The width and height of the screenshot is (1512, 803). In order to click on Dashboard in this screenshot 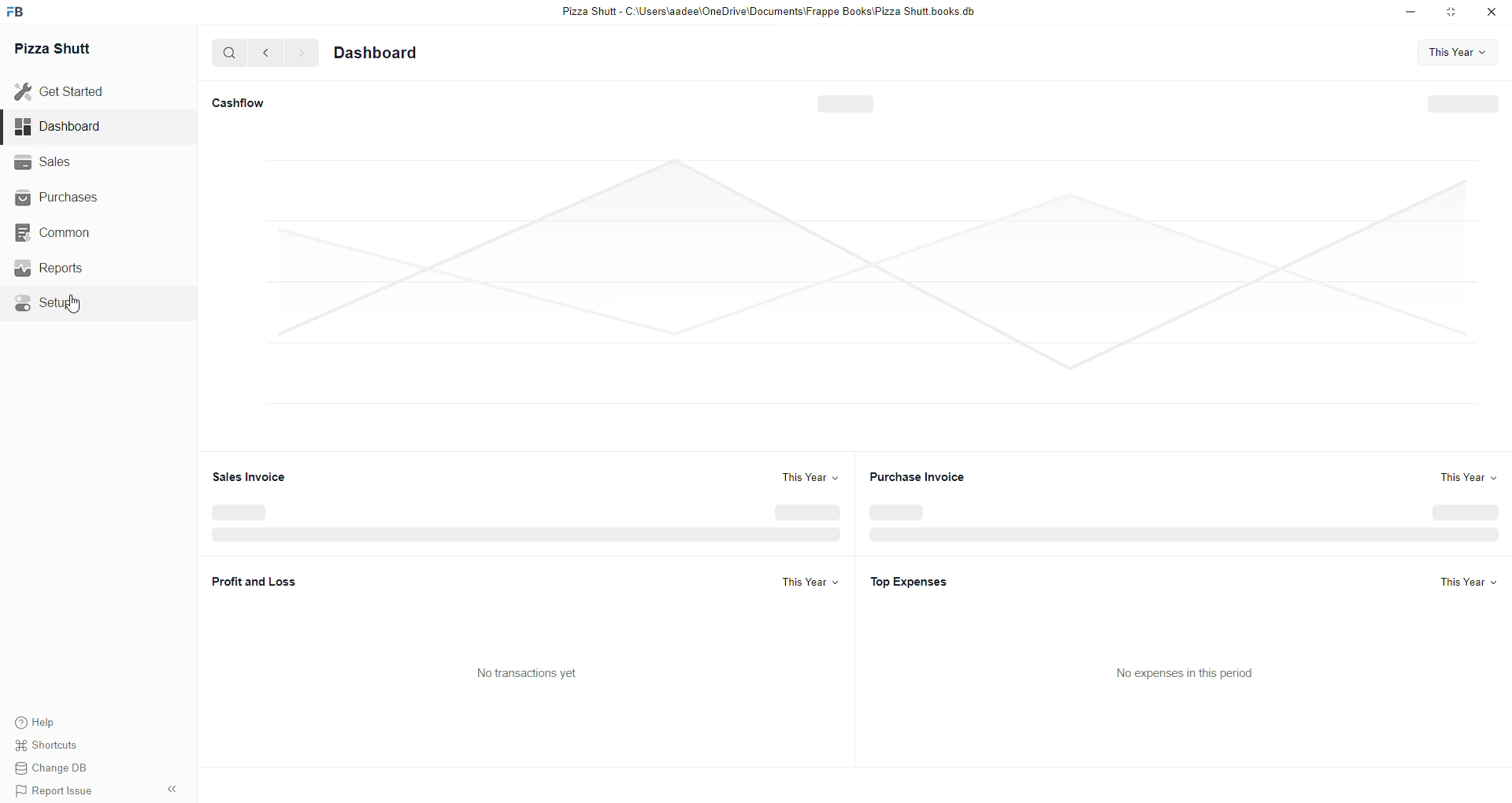, I will do `click(391, 52)`.